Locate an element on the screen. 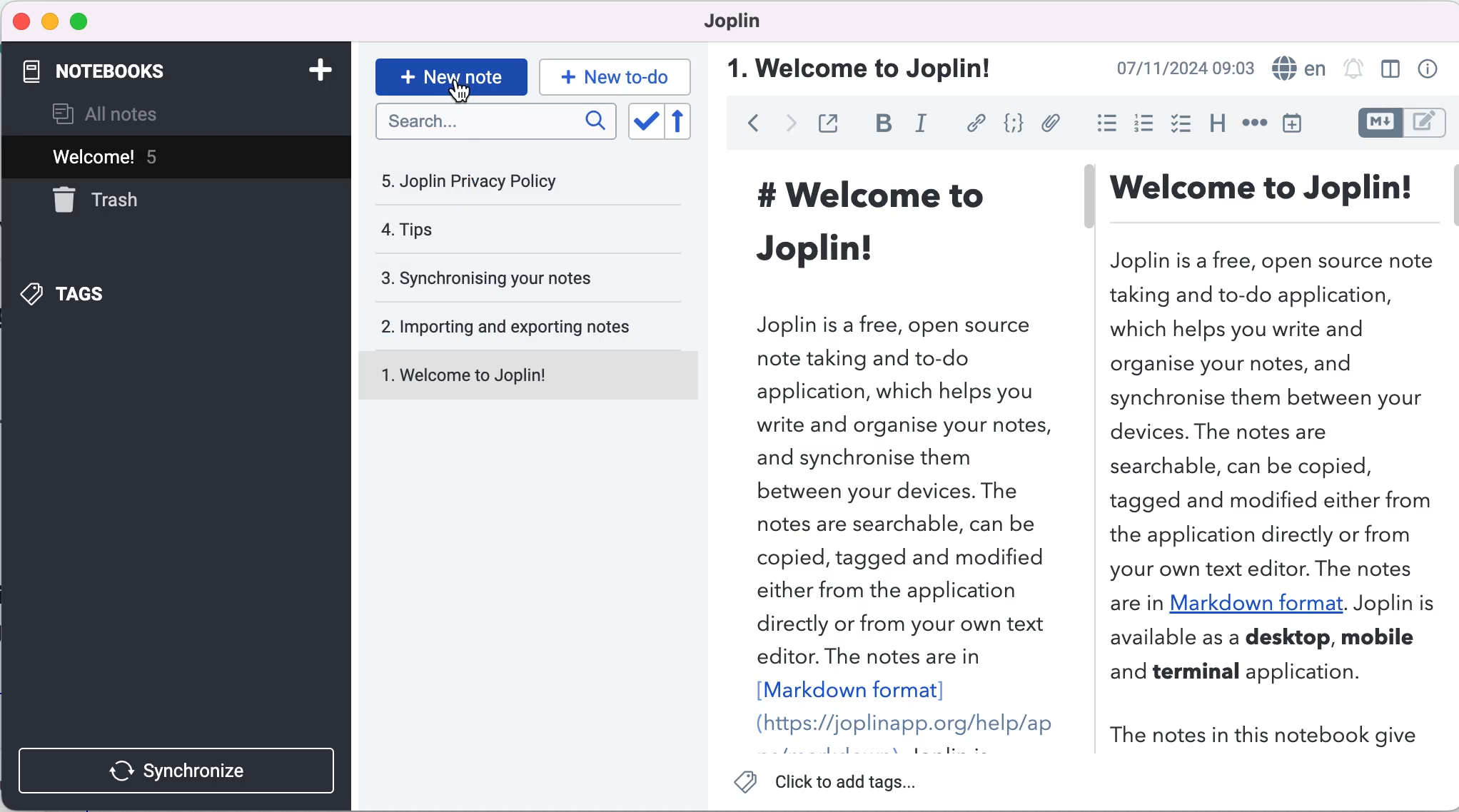 Image resolution: width=1459 pixels, height=812 pixels. language is located at coordinates (1298, 69).